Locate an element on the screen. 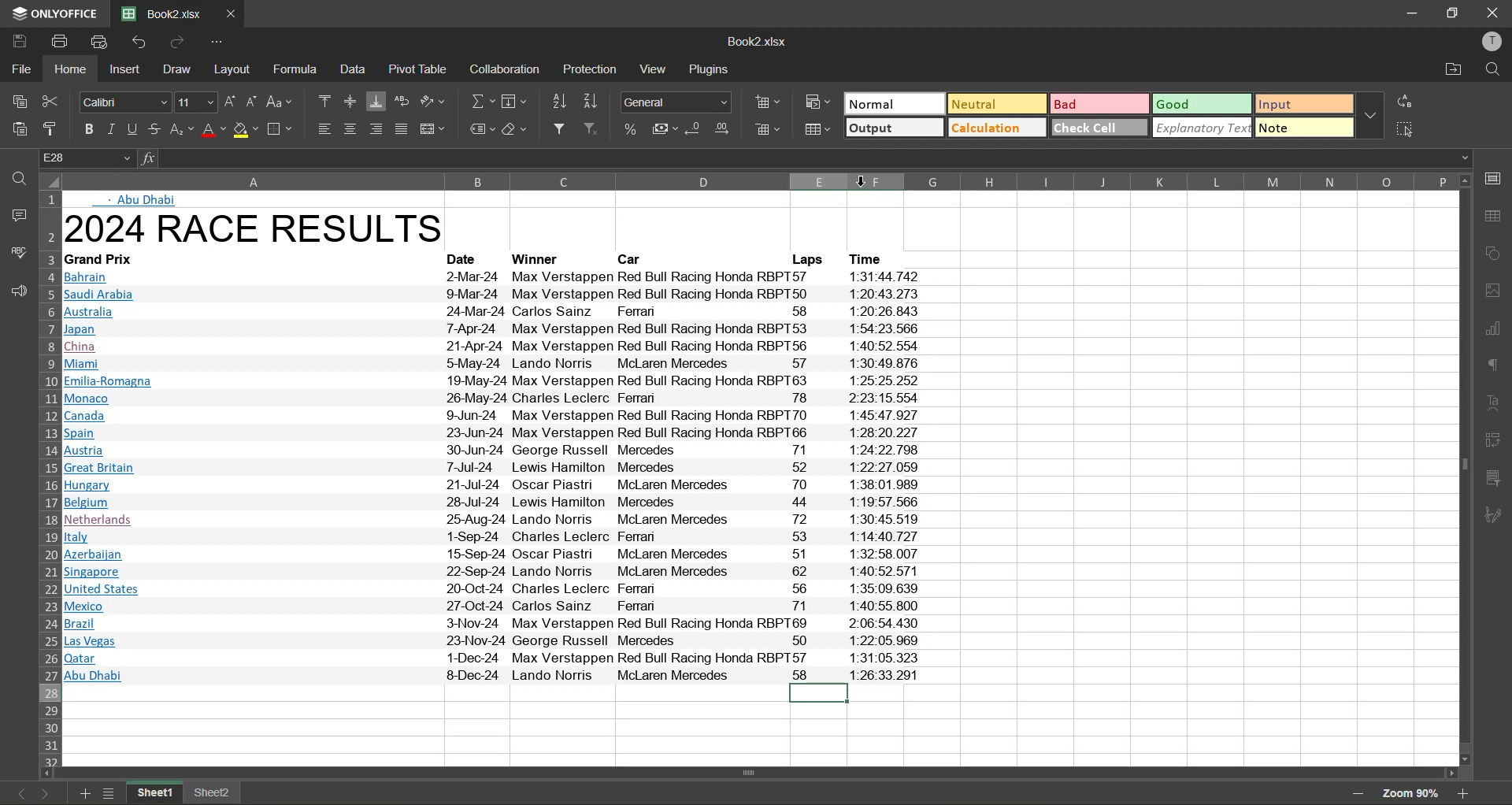 This screenshot has width=1512, height=805. J Emilia-Romagna 19-May-24 Max Verstappen Red Bull Racing Honda RBPT63 1:25:25.252 is located at coordinates (495, 381).